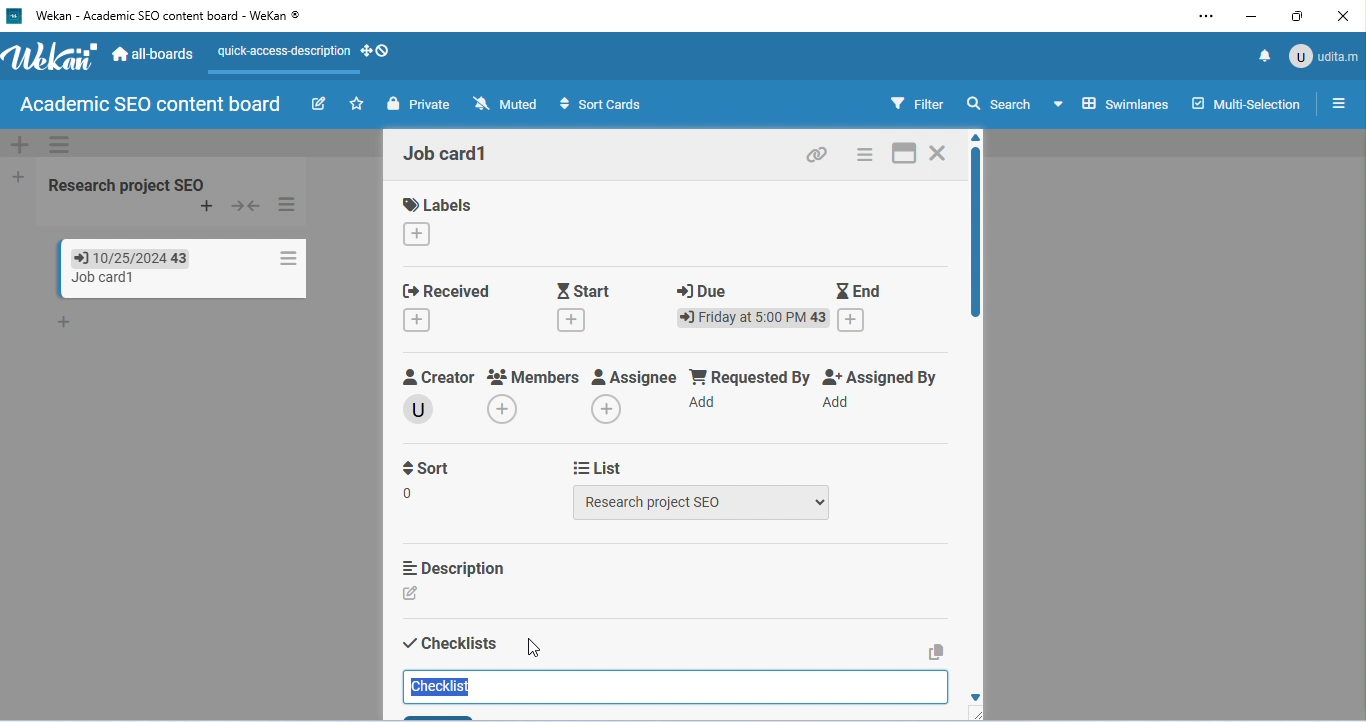  What do you see at coordinates (61, 144) in the screenshot?
I see `swimlane actions` at bounding box center [61, 144].